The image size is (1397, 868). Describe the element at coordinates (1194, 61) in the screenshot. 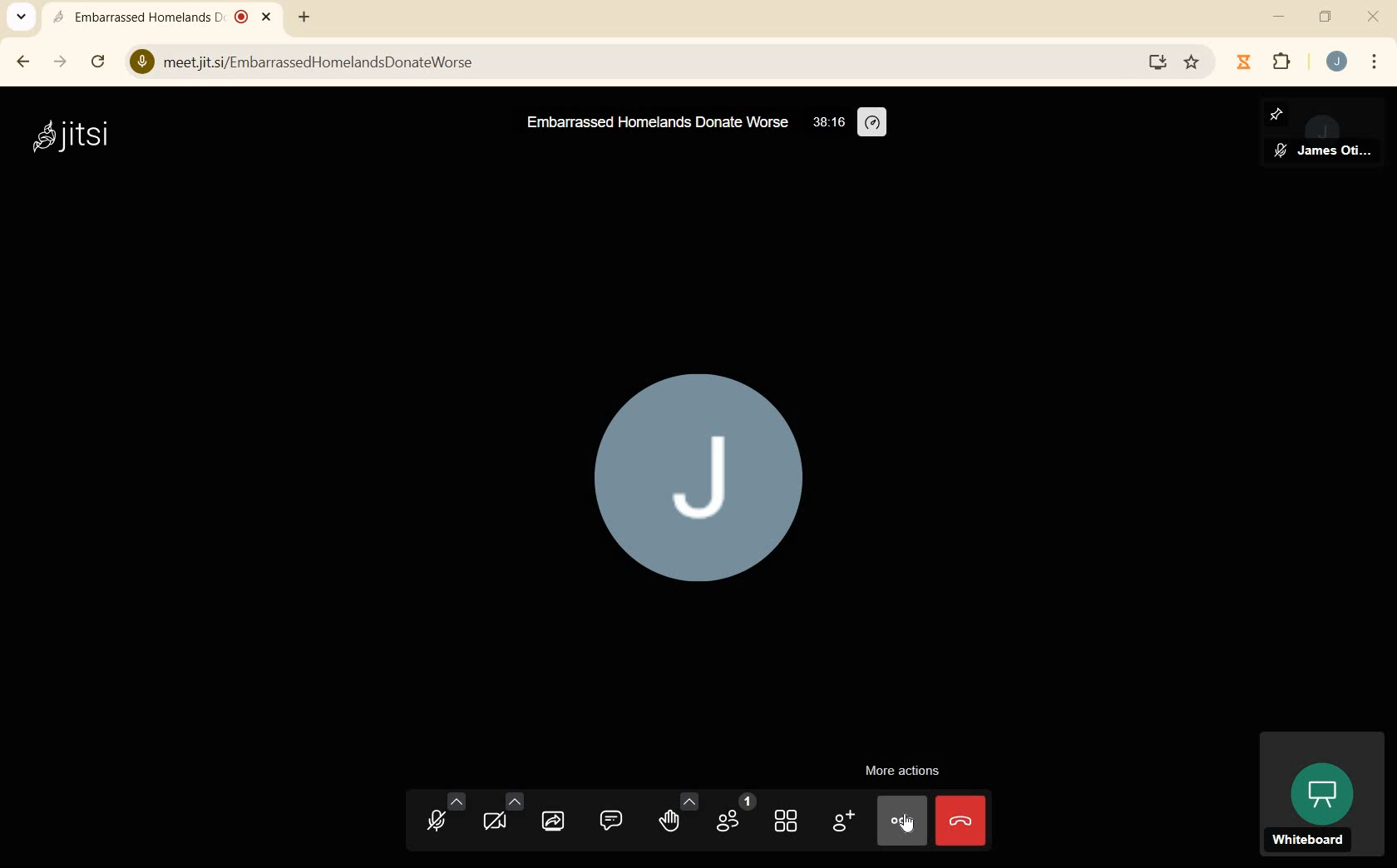

I see `bookmark` at that location.